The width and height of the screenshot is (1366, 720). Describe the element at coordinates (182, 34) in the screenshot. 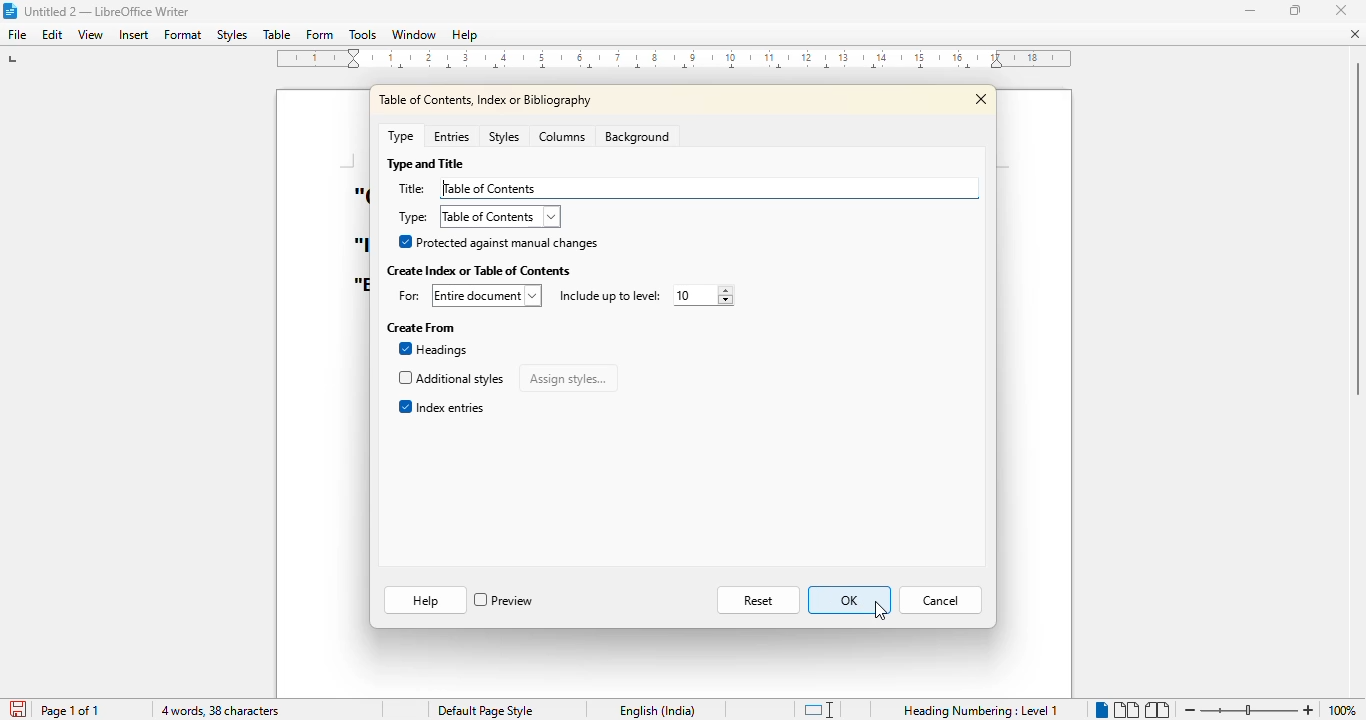

I see `format` at that location.